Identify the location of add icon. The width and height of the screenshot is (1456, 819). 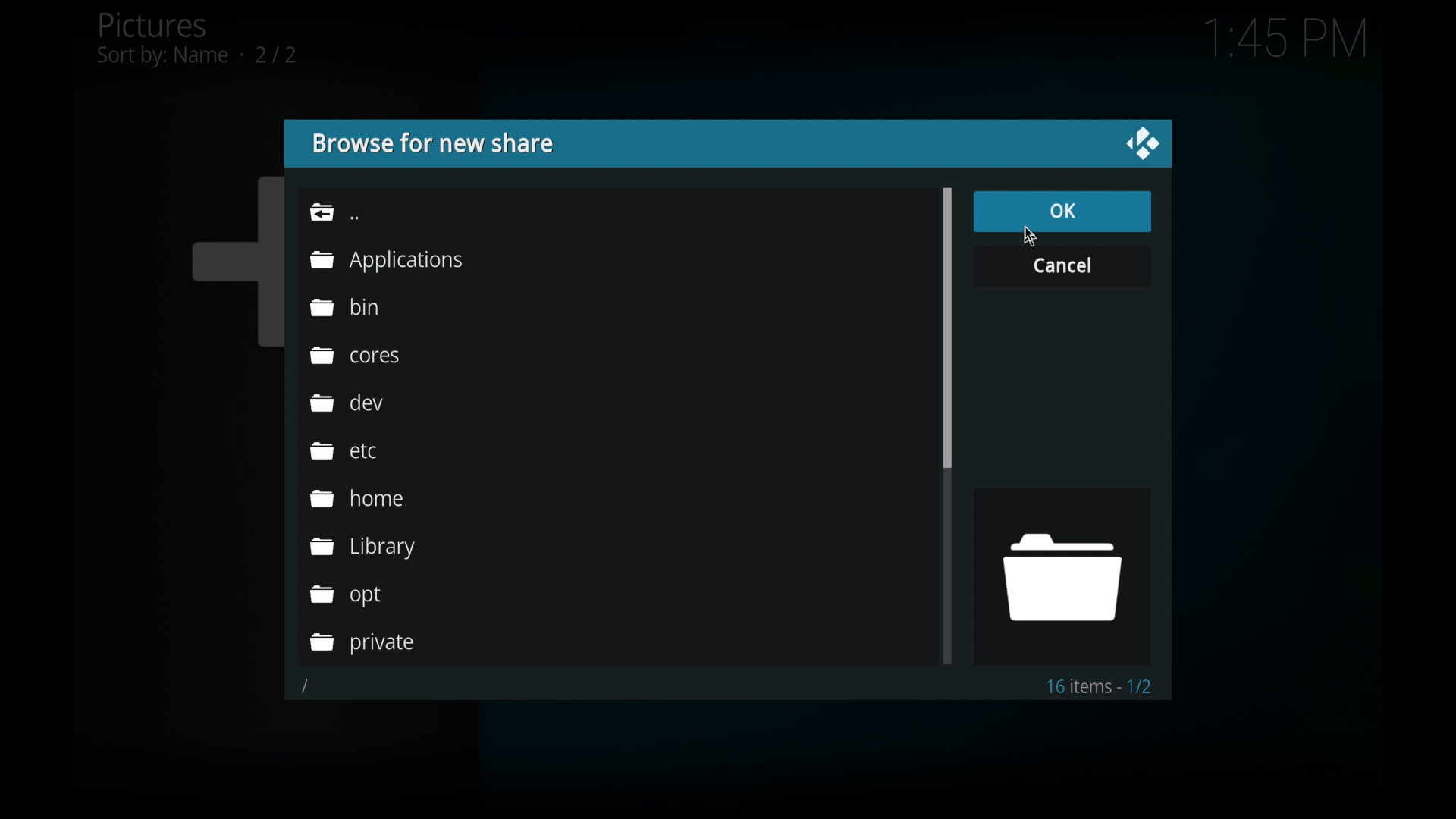
(236, 260).